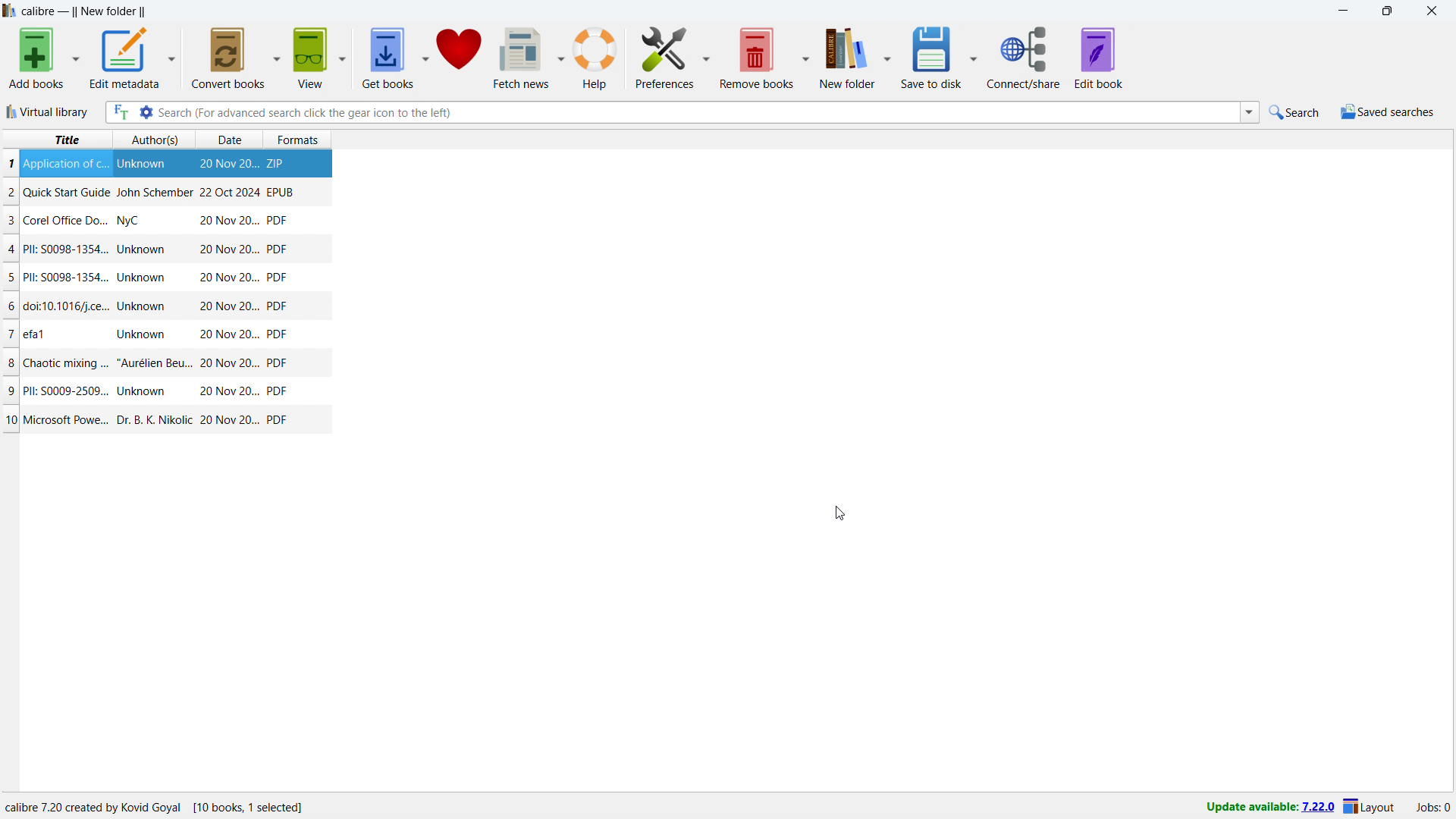 This screenshot has width=1456, height=819. I want to click on quick search, so click(1296, 112).